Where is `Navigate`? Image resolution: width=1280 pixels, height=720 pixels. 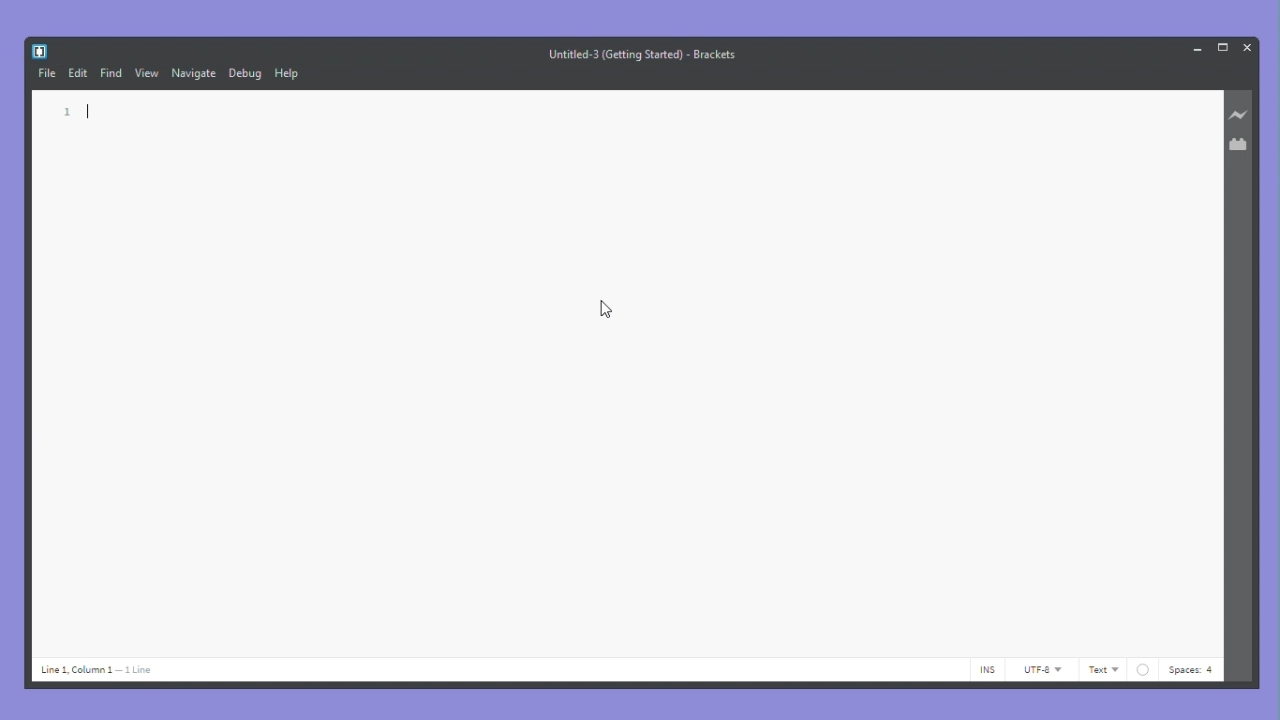
Navigate is located at coordinates (194, 75).